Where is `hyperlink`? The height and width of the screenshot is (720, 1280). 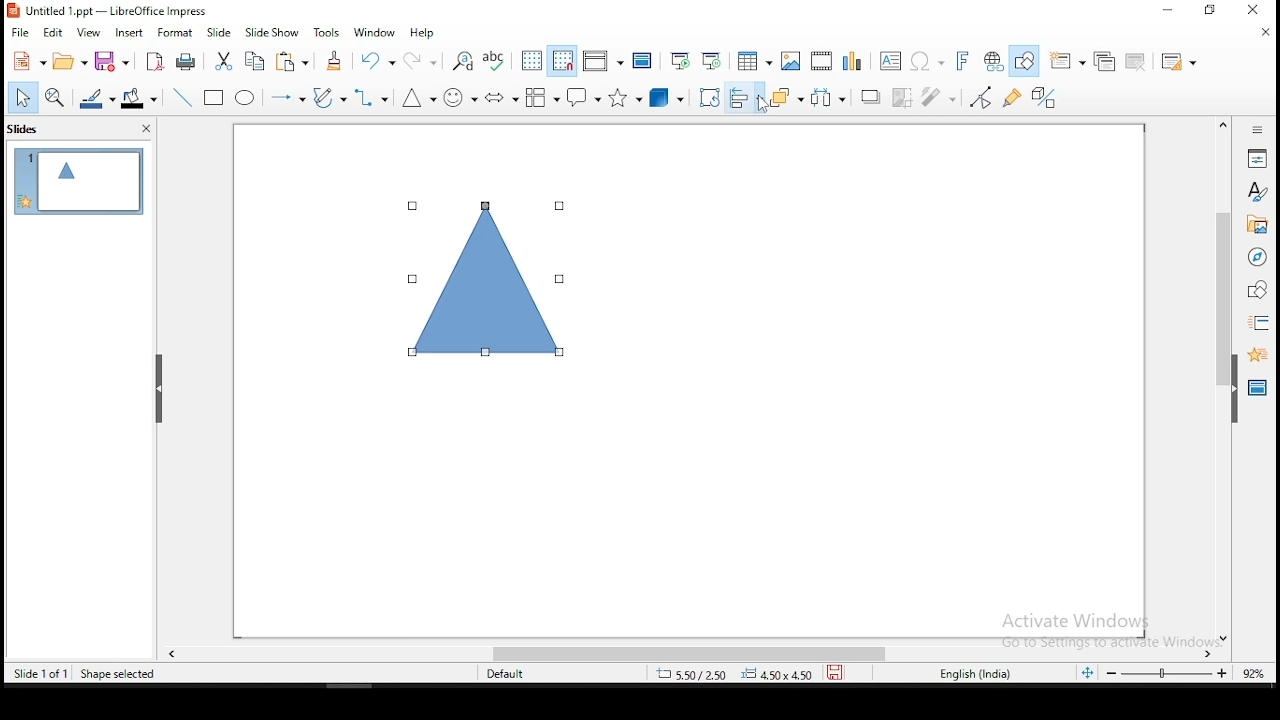
hyperlink is located at coordinates (991, 60).